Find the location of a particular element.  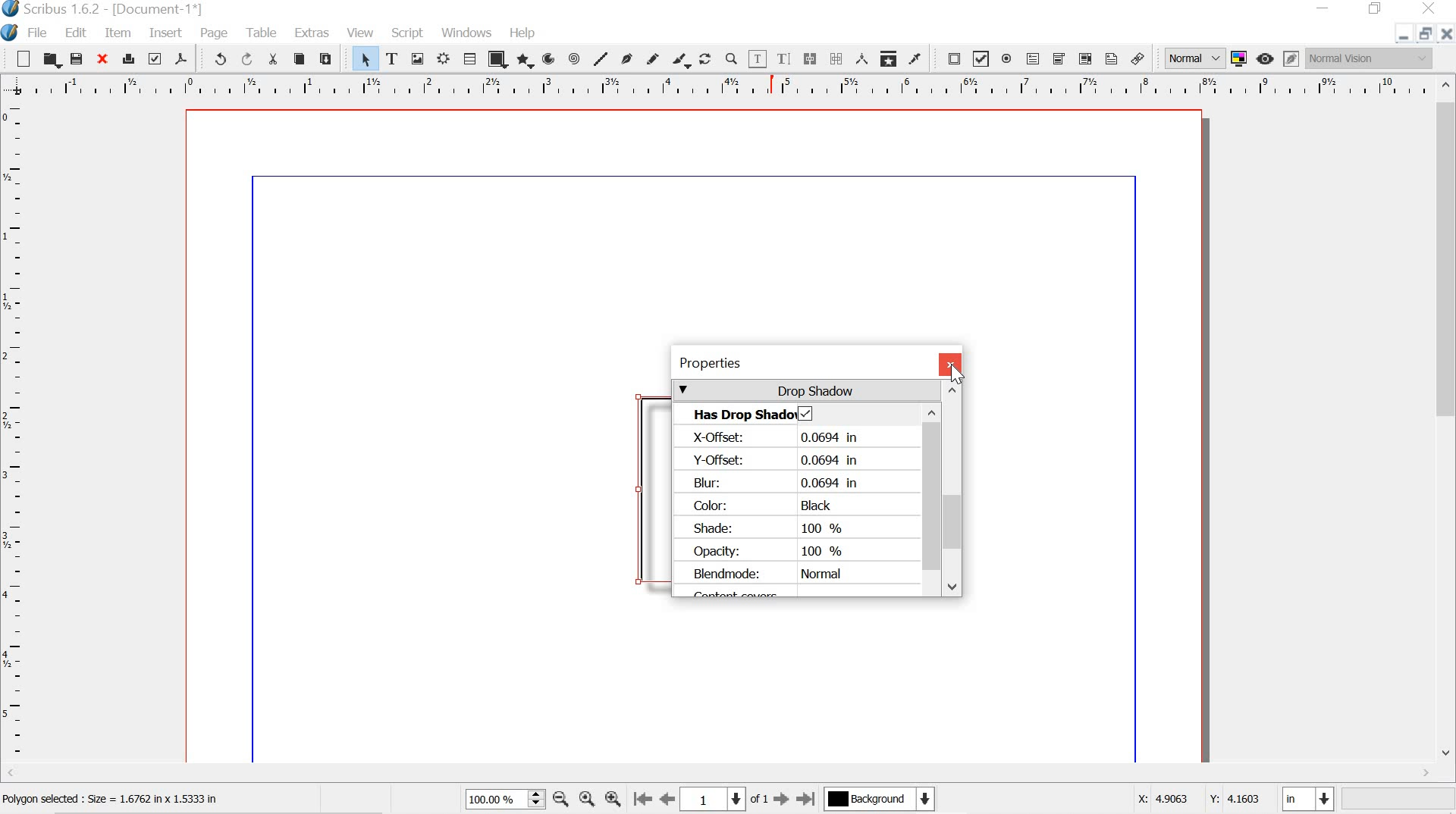

redo is located at coordinates (246, 58).